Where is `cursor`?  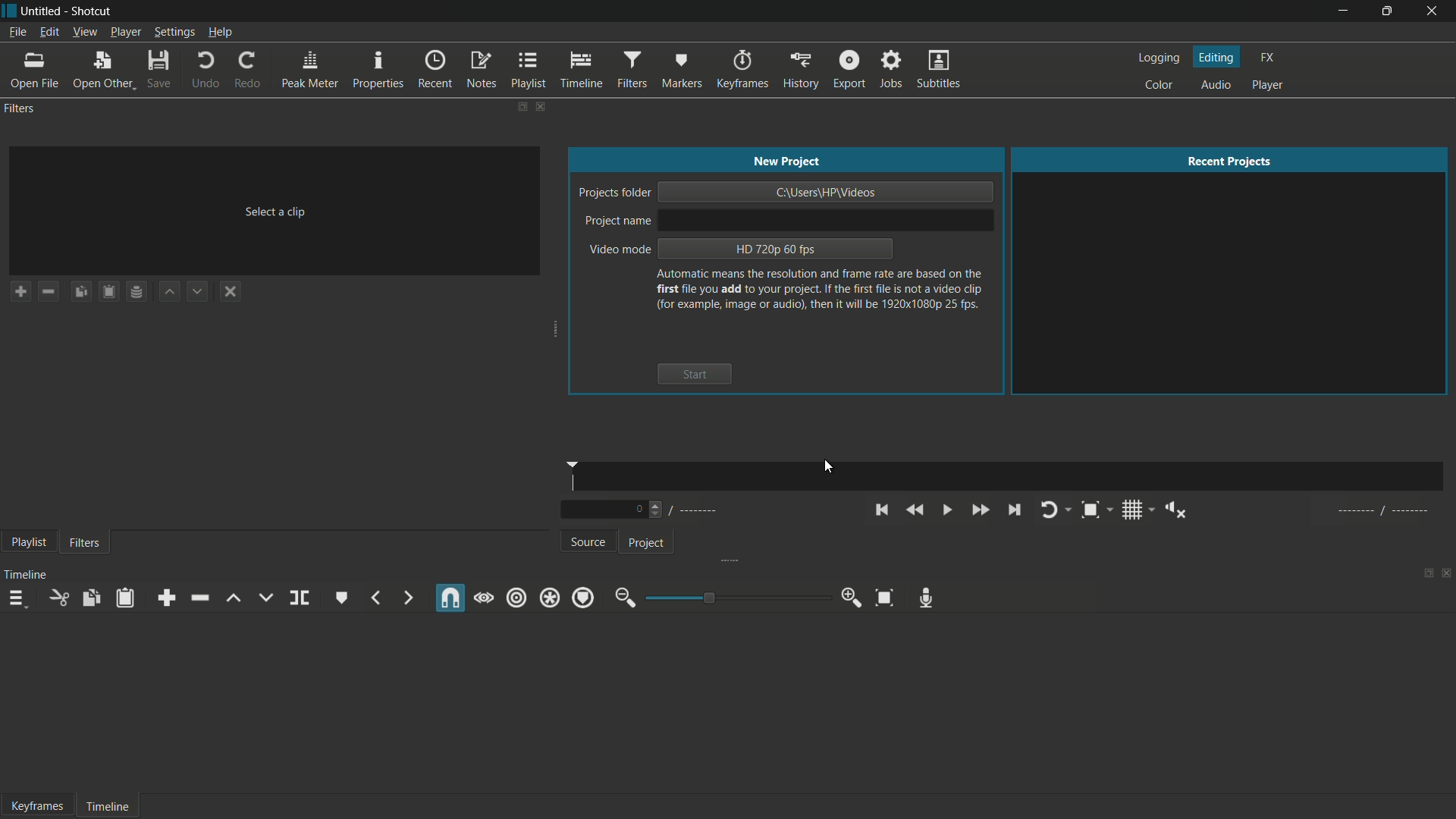 cursor is located at coordinates (830, 466).